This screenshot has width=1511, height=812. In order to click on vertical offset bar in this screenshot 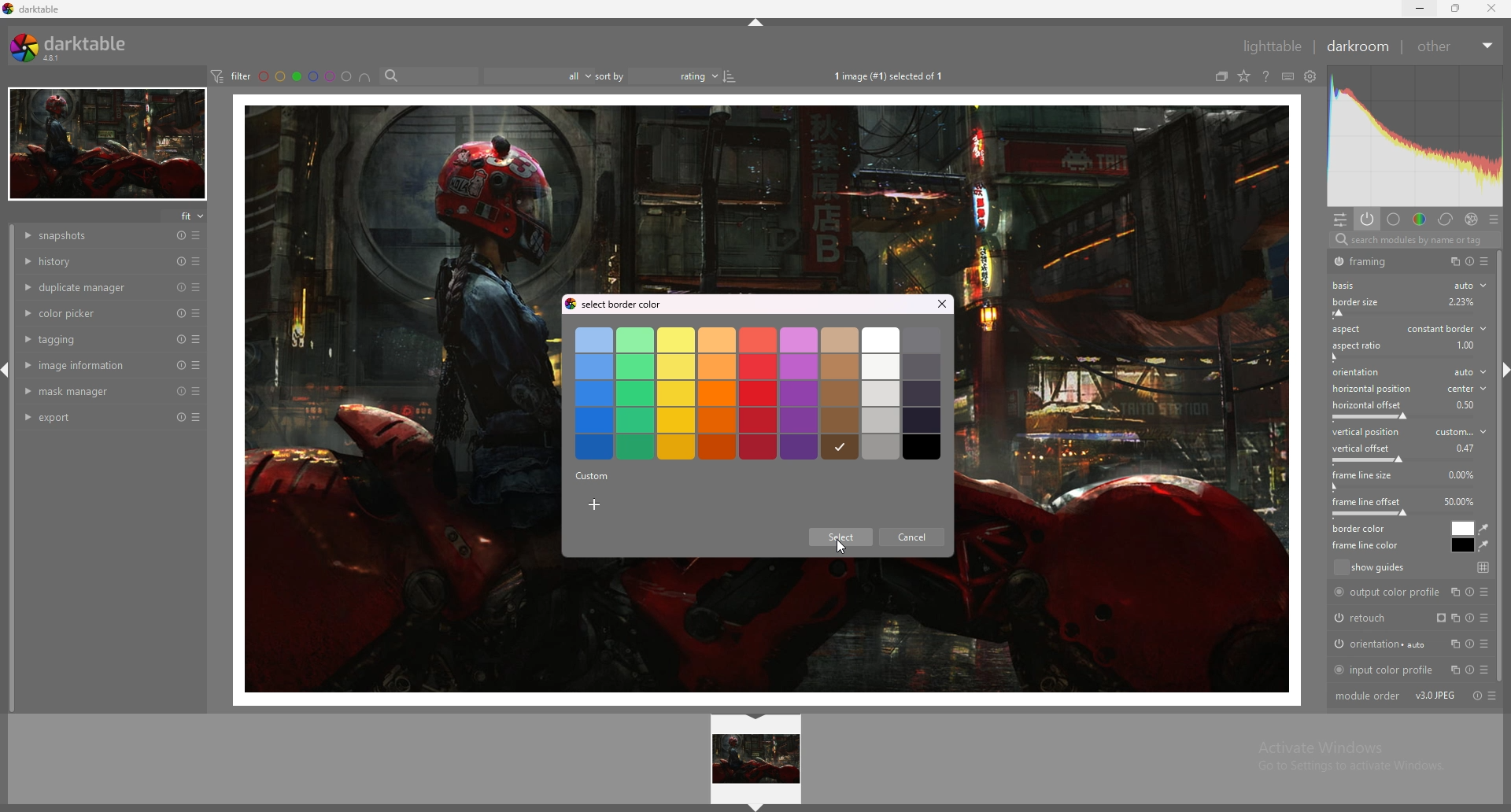, I will do `click(1406, 460)`.